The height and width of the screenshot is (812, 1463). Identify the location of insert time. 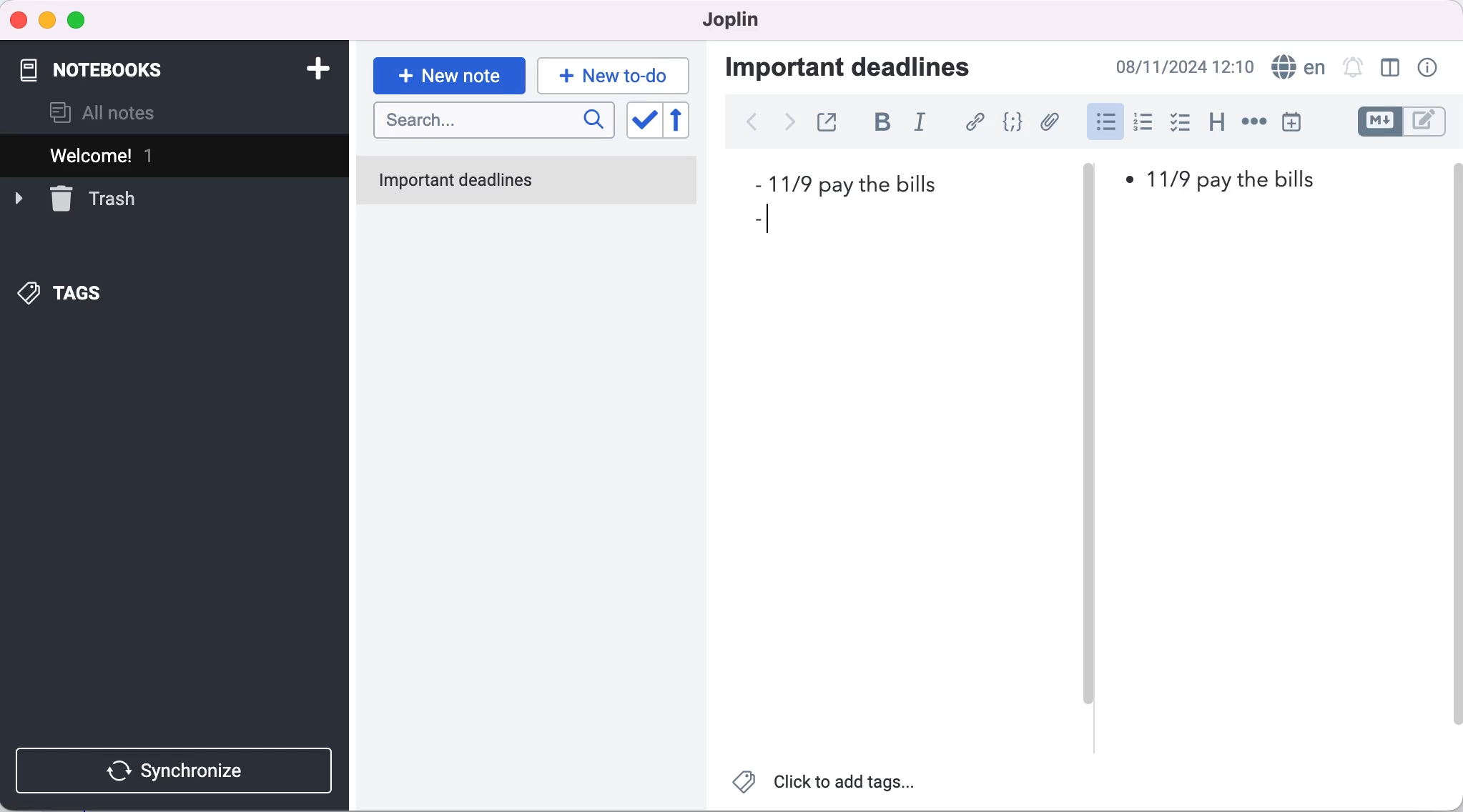
(1300, 122).